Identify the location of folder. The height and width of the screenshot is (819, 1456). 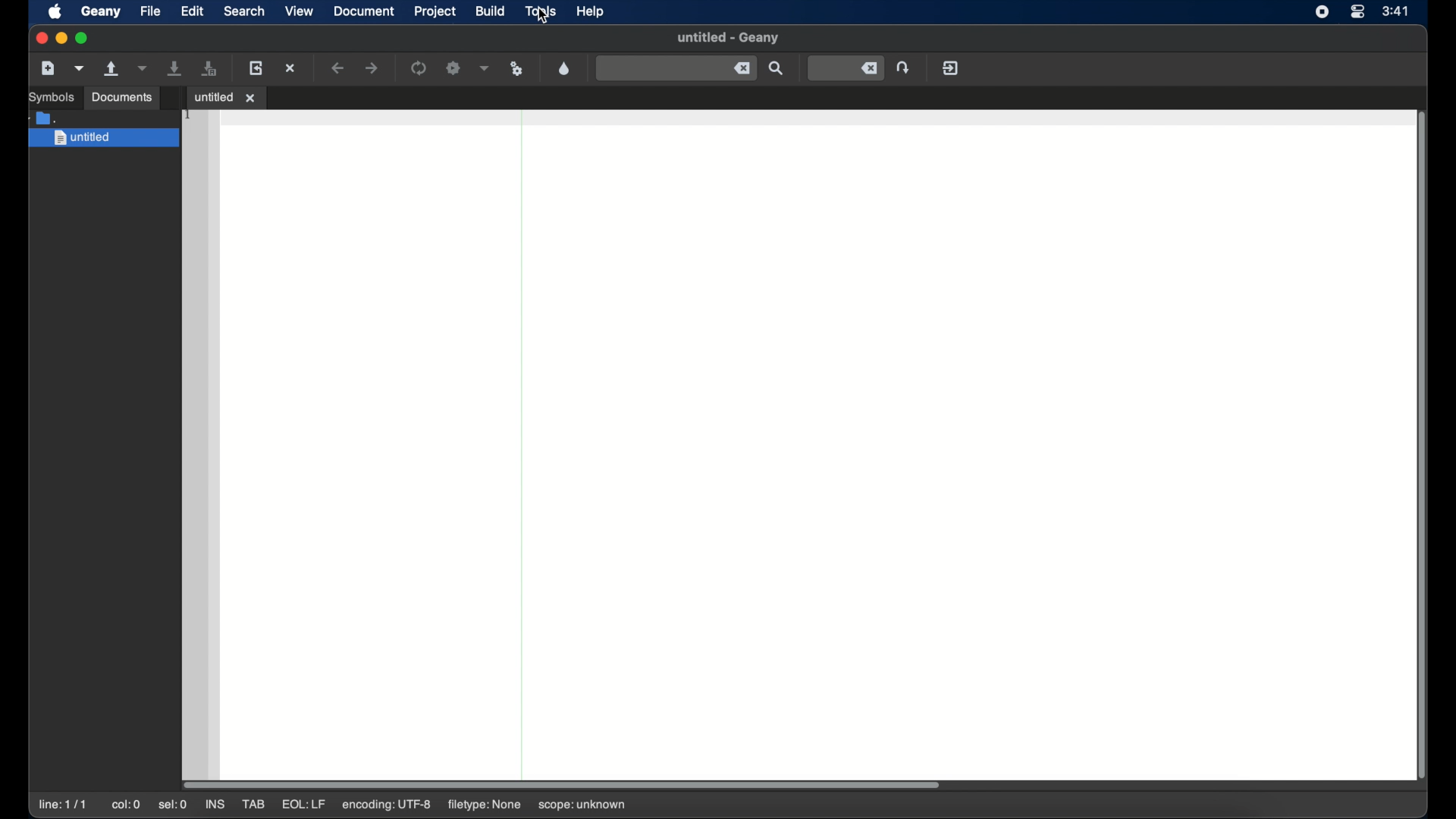
(43, 118).